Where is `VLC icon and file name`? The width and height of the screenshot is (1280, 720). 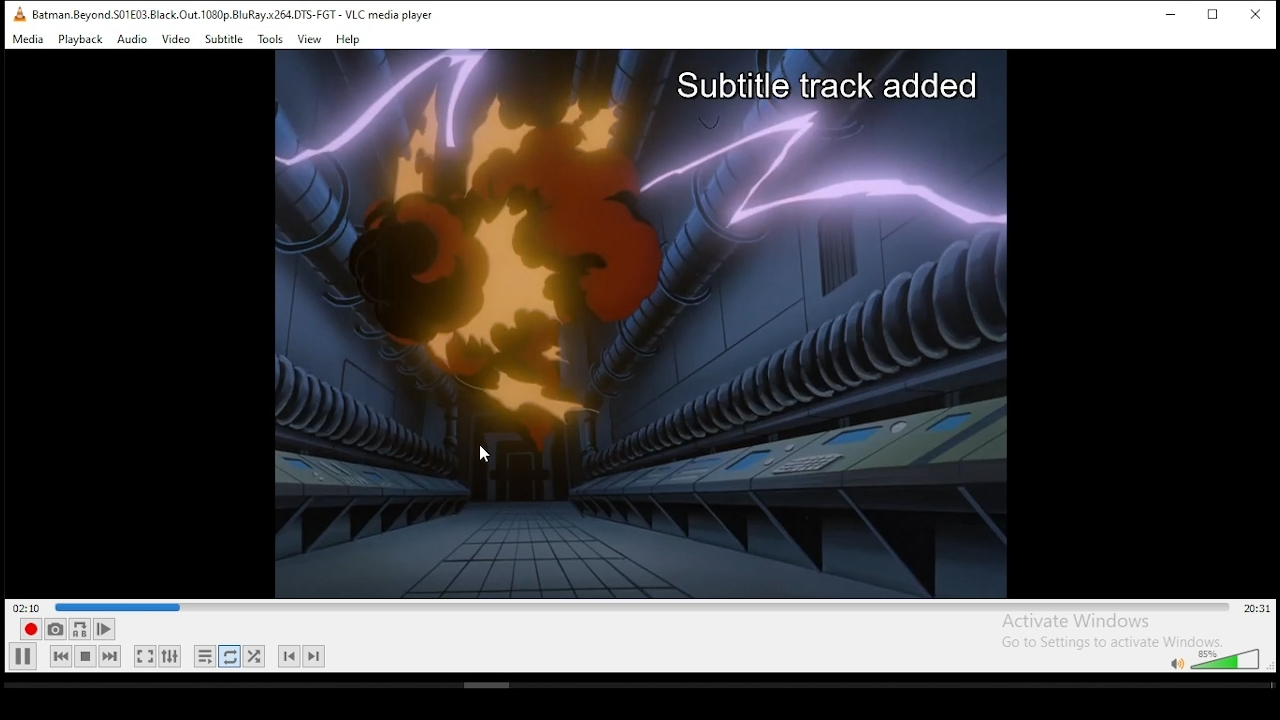 VLC icon and file name is located at coordinates (218, 14).